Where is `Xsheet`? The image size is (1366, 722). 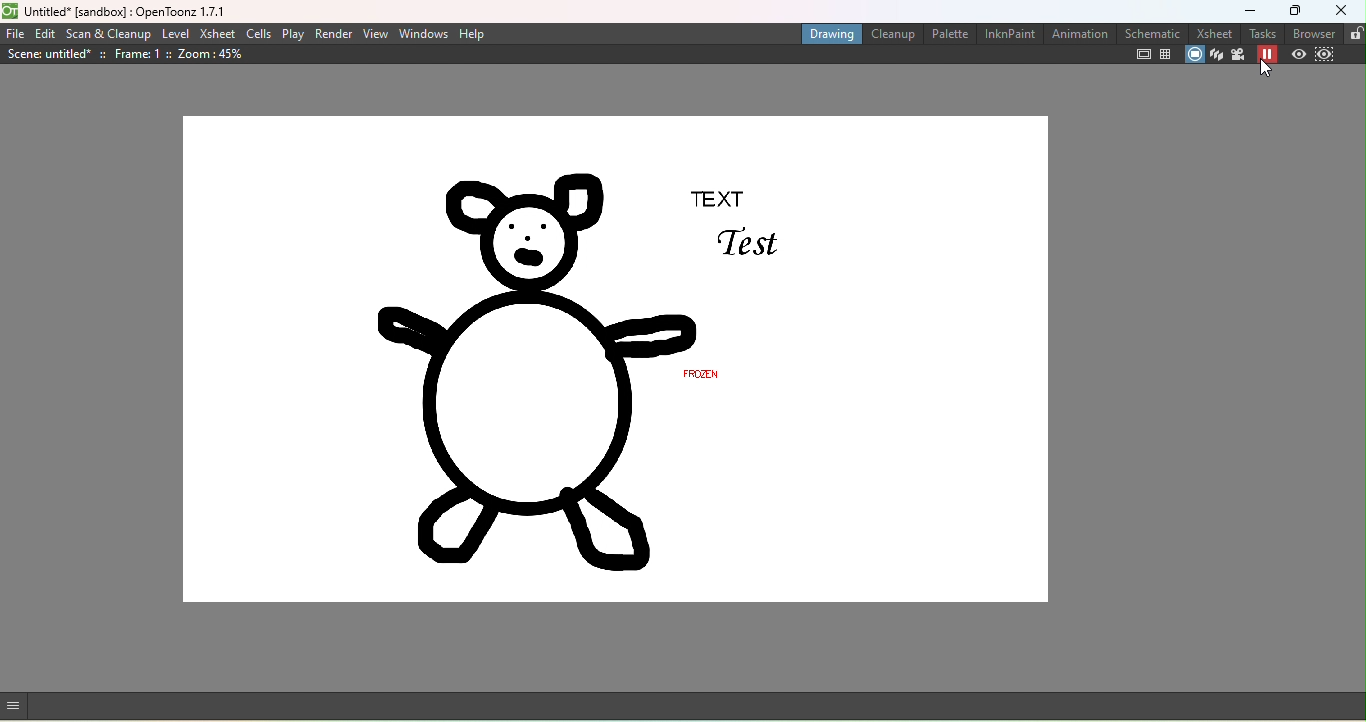 Xsheet is located at coordinates (1214, 31).